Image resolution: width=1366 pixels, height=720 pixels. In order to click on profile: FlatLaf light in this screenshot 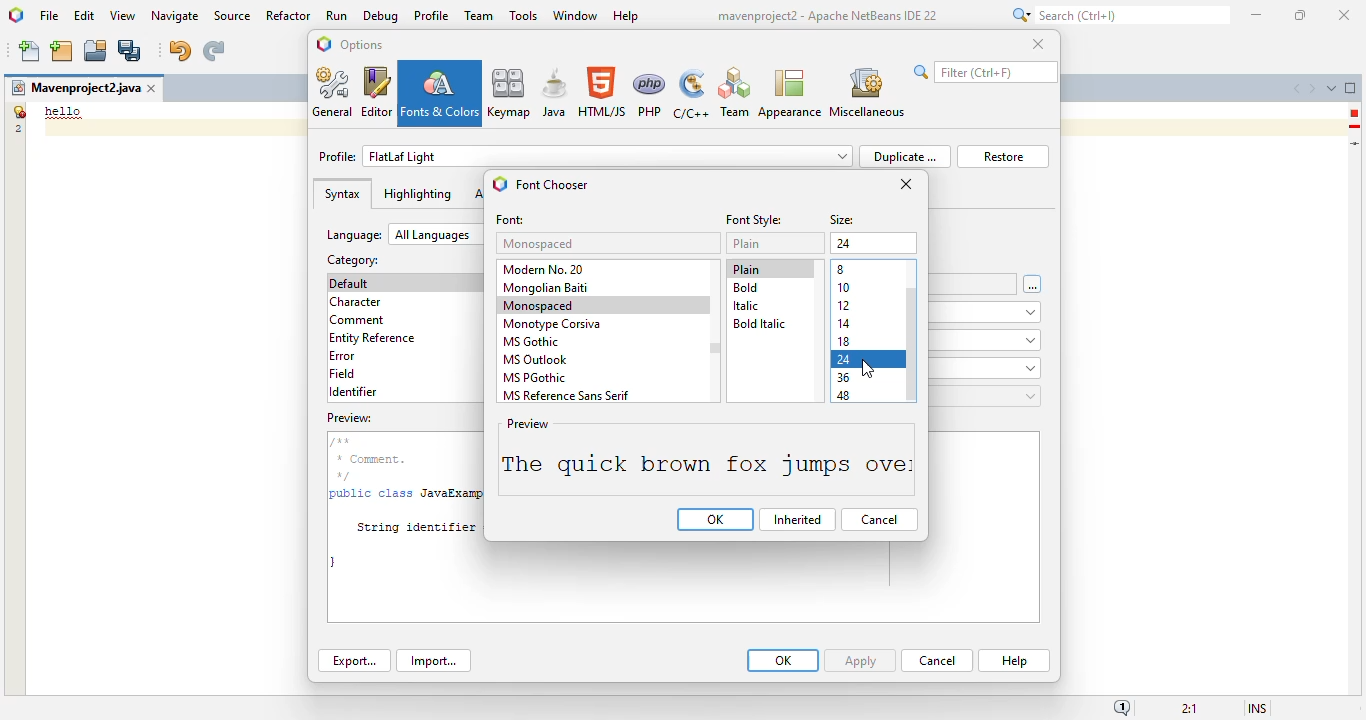, I will do `click(585, 156)`.